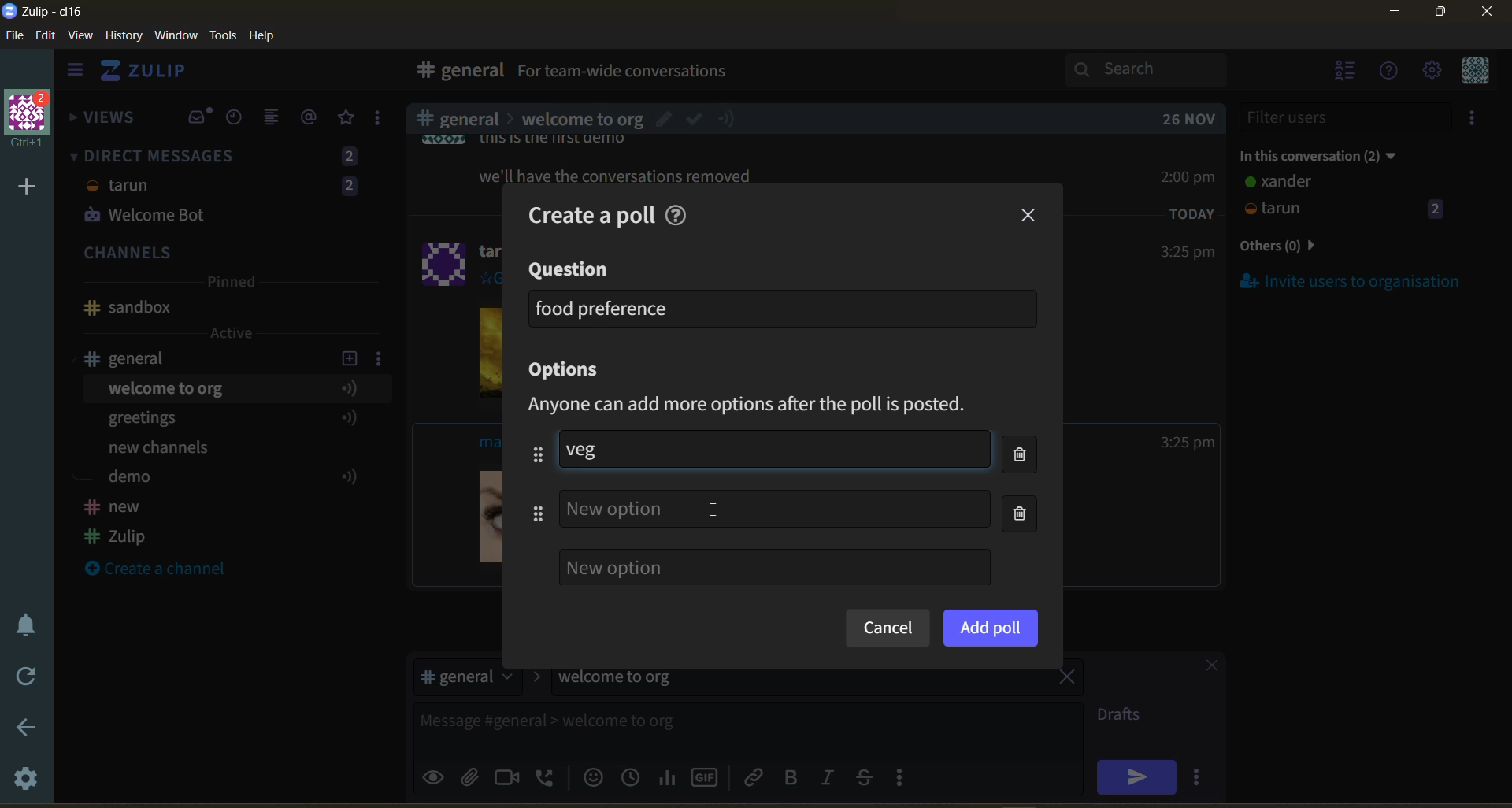 The image size is (1512, 808). I want to click on options, so click(570, 371).